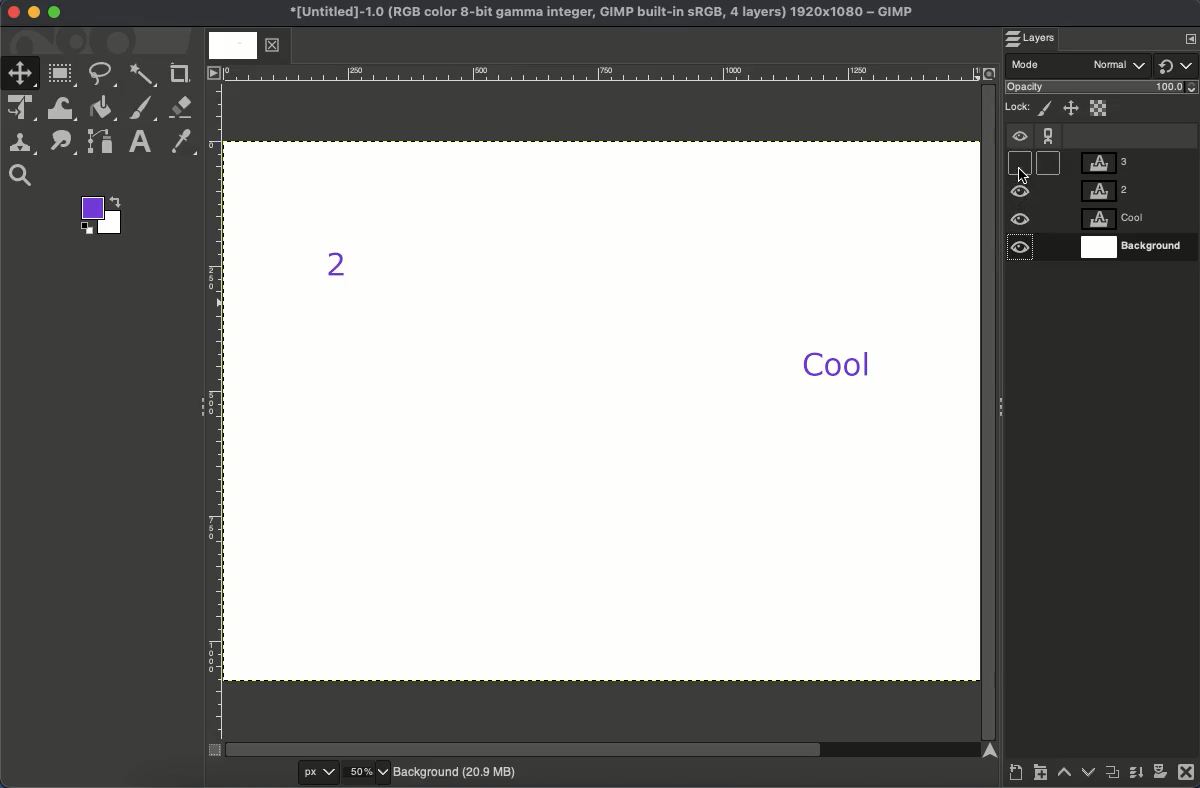 This screenshot has height=788, width=1200. I want to click on Minimize, so click(34, 12).